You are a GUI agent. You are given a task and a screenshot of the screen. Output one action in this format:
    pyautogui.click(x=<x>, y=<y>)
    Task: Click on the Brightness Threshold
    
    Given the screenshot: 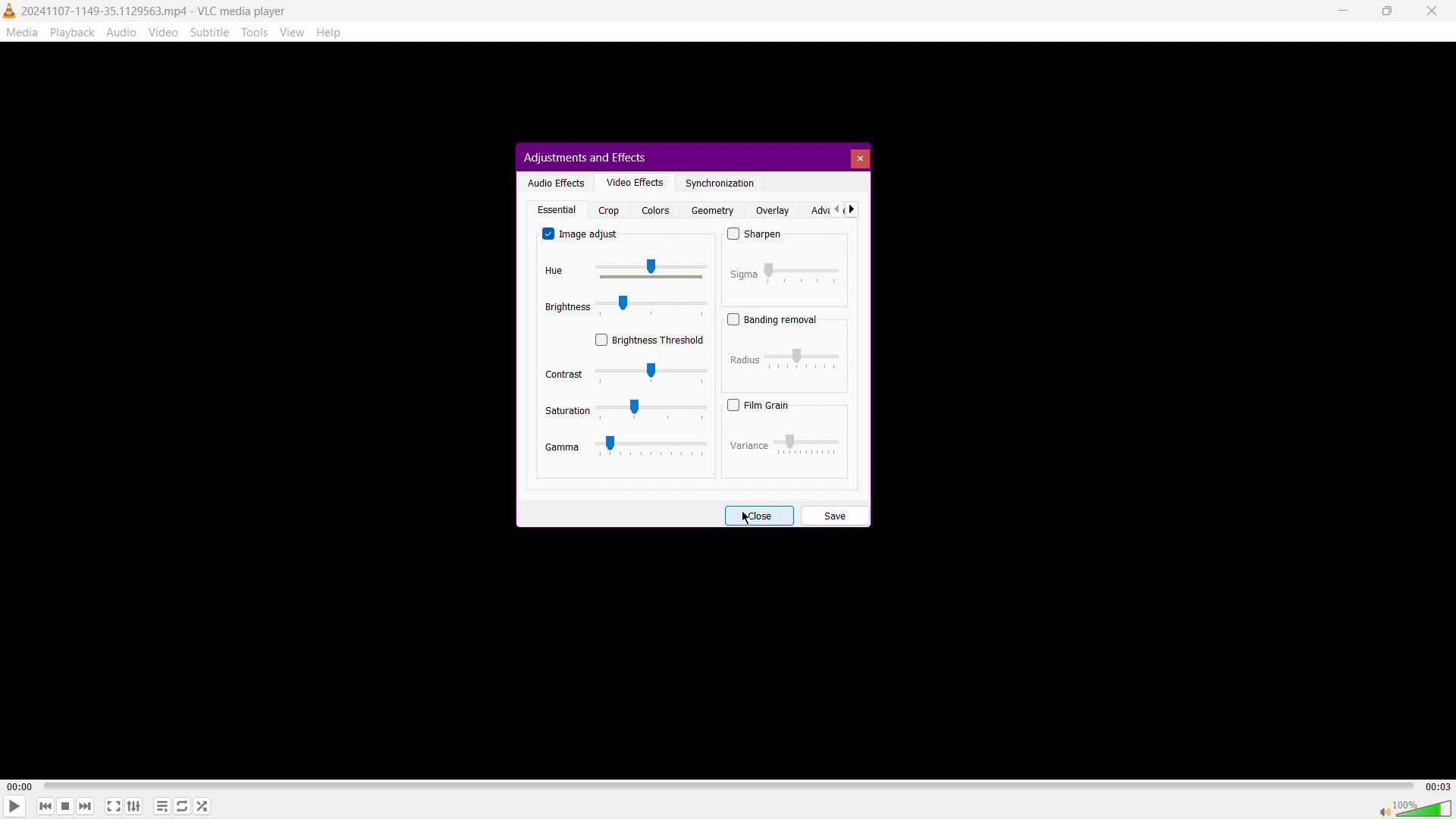 What is the action you would take?
    pyautogui.click(x=650, y=339)
    